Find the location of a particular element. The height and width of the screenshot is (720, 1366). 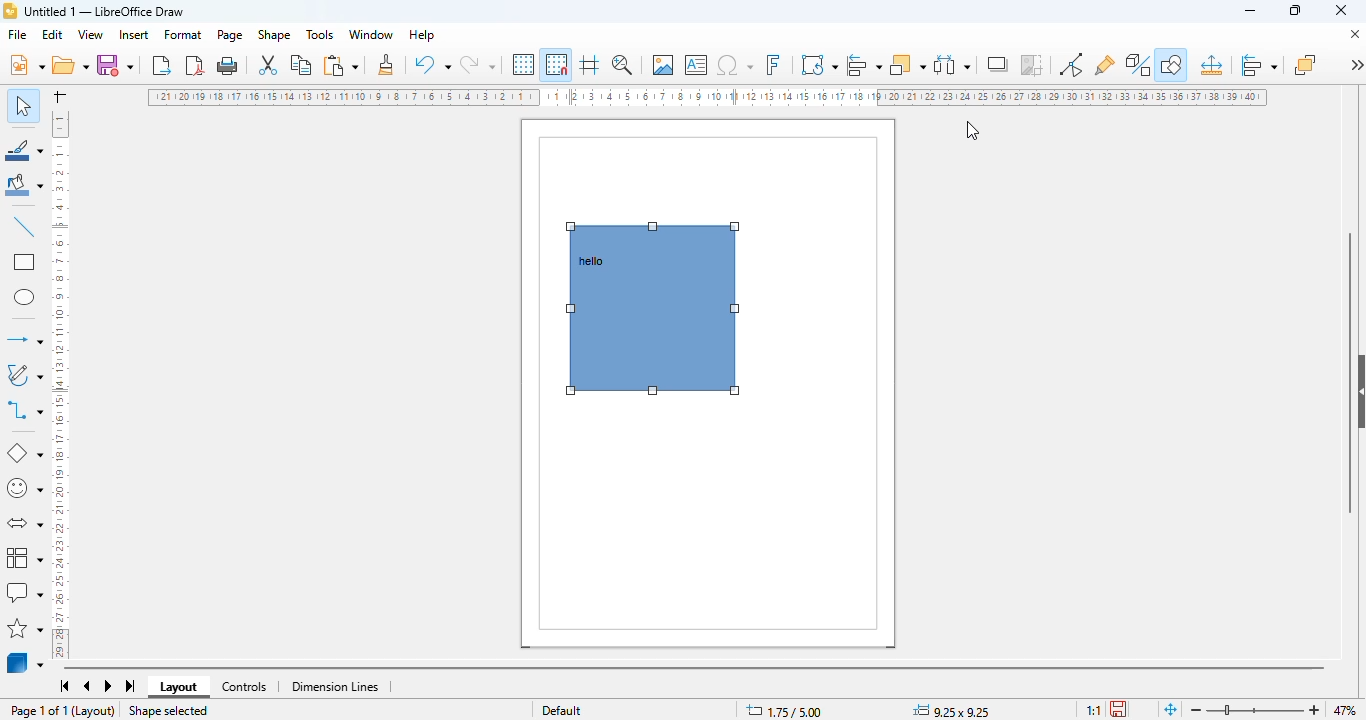

edit is located at coordinates (53, 34).